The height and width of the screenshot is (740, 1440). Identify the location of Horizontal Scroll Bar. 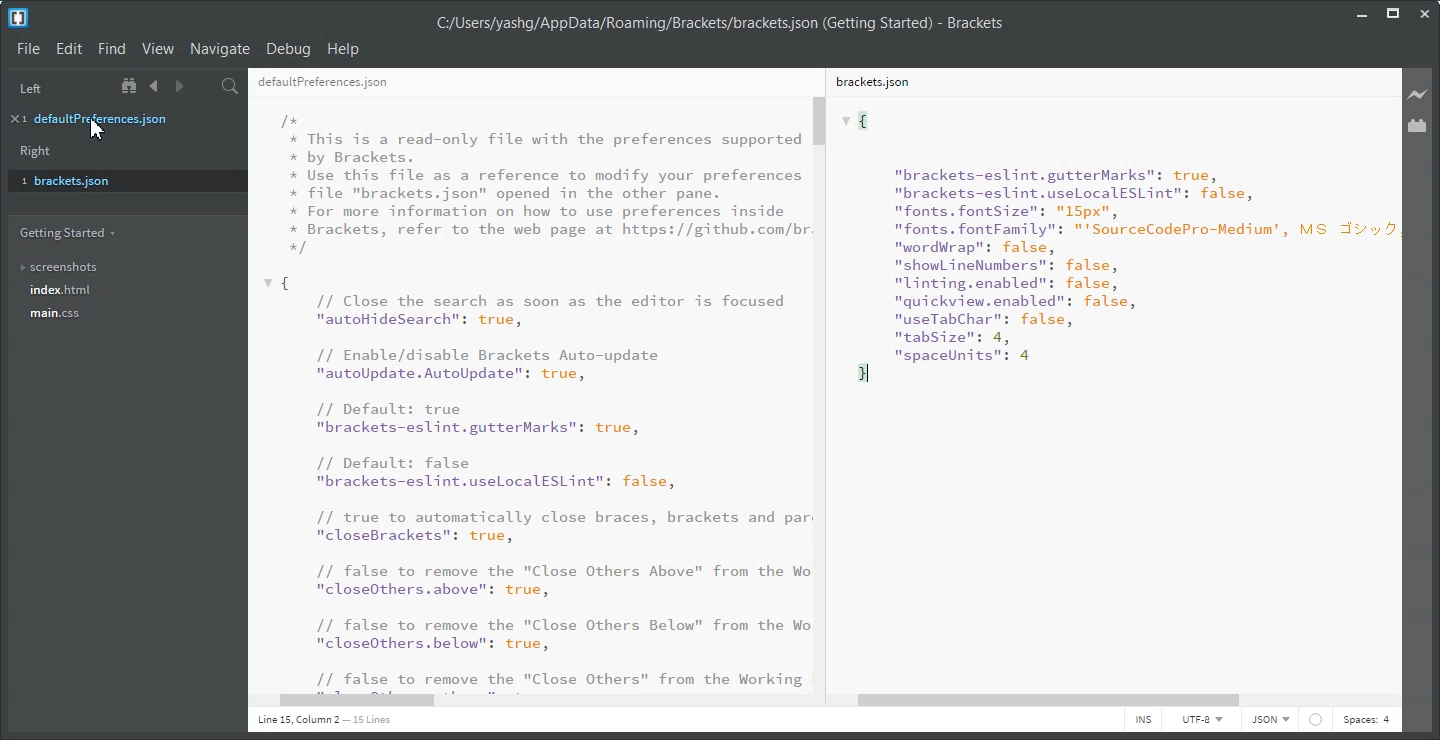
(1119, 700).